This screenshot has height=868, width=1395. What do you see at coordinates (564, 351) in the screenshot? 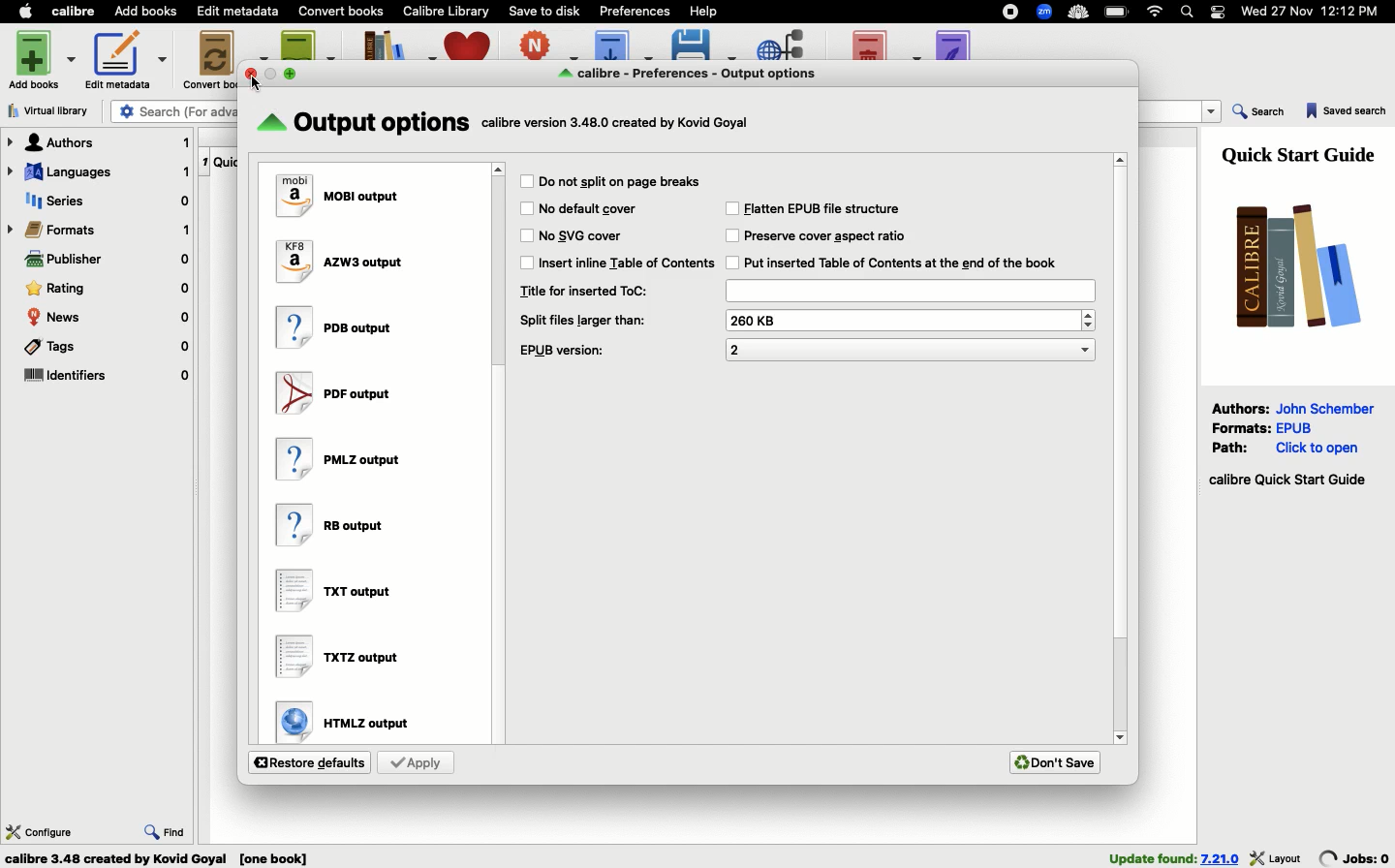
I see `EPUB version ` at bounding box center [564, 351].